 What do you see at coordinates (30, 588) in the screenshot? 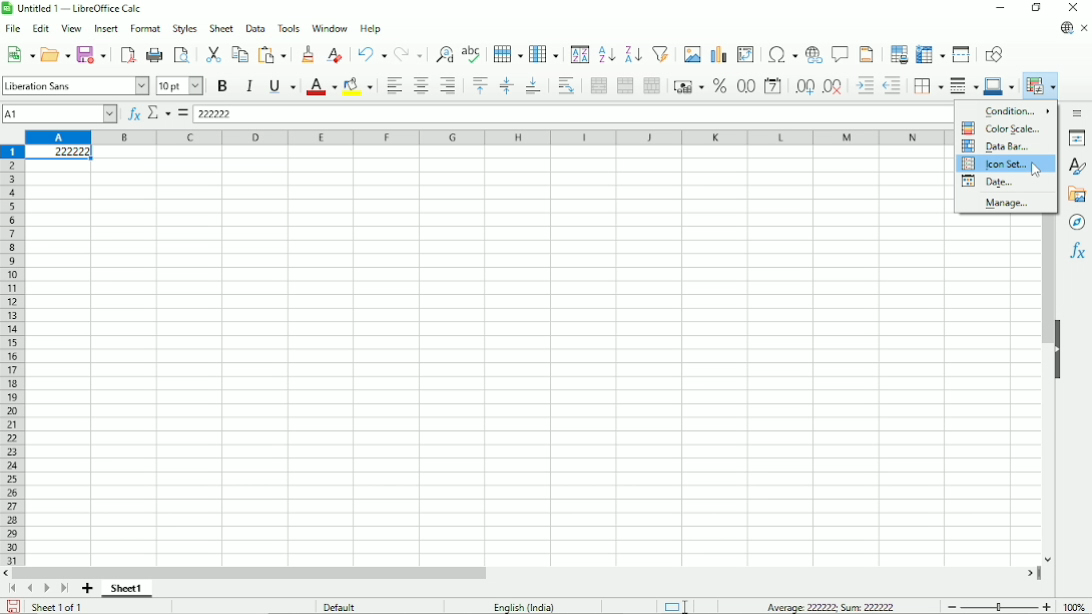
I see `Scroll to previous page` at bounding box center [30, 588].